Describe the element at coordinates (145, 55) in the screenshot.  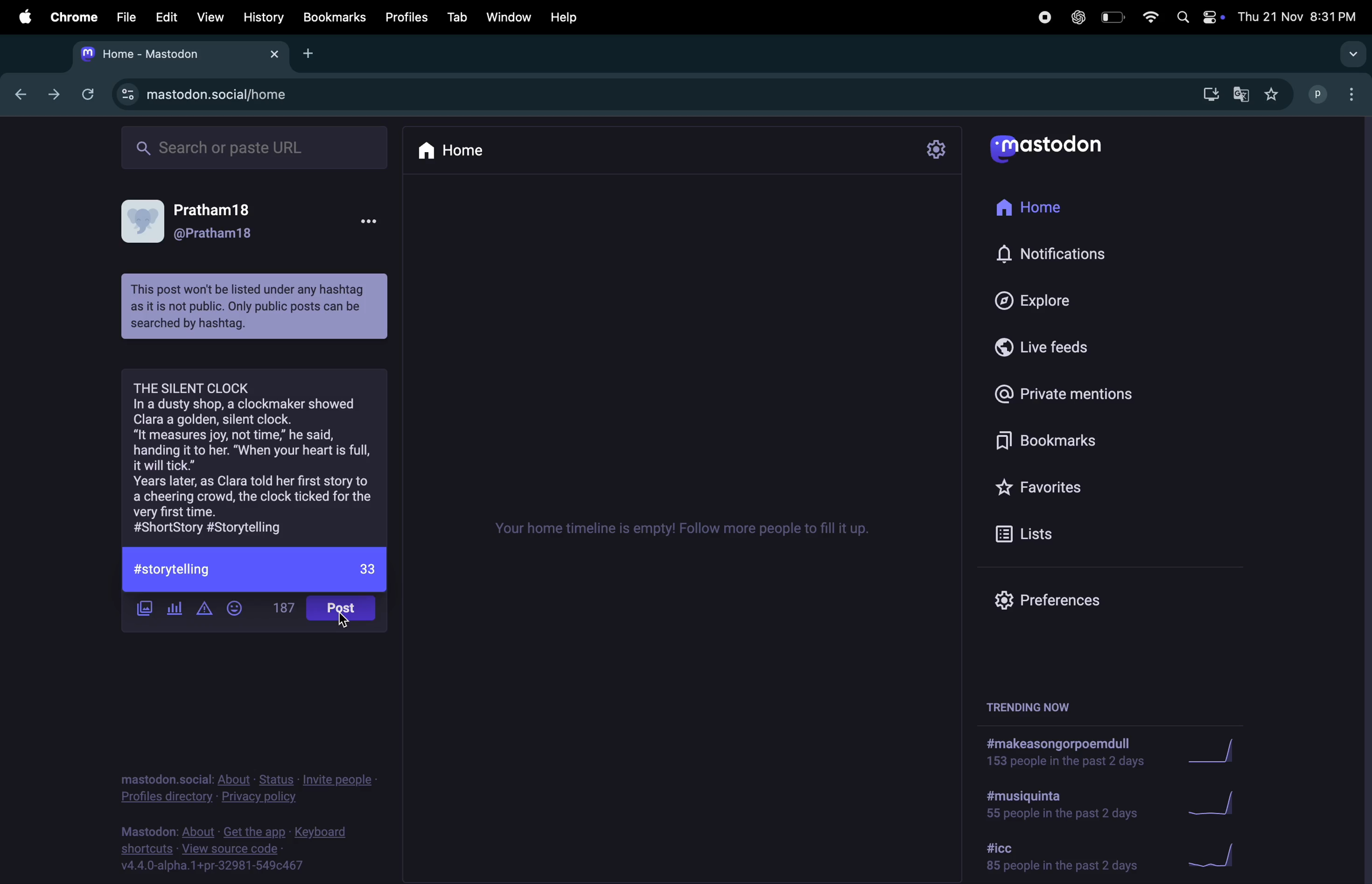
I see `mastadon tab` at that location.